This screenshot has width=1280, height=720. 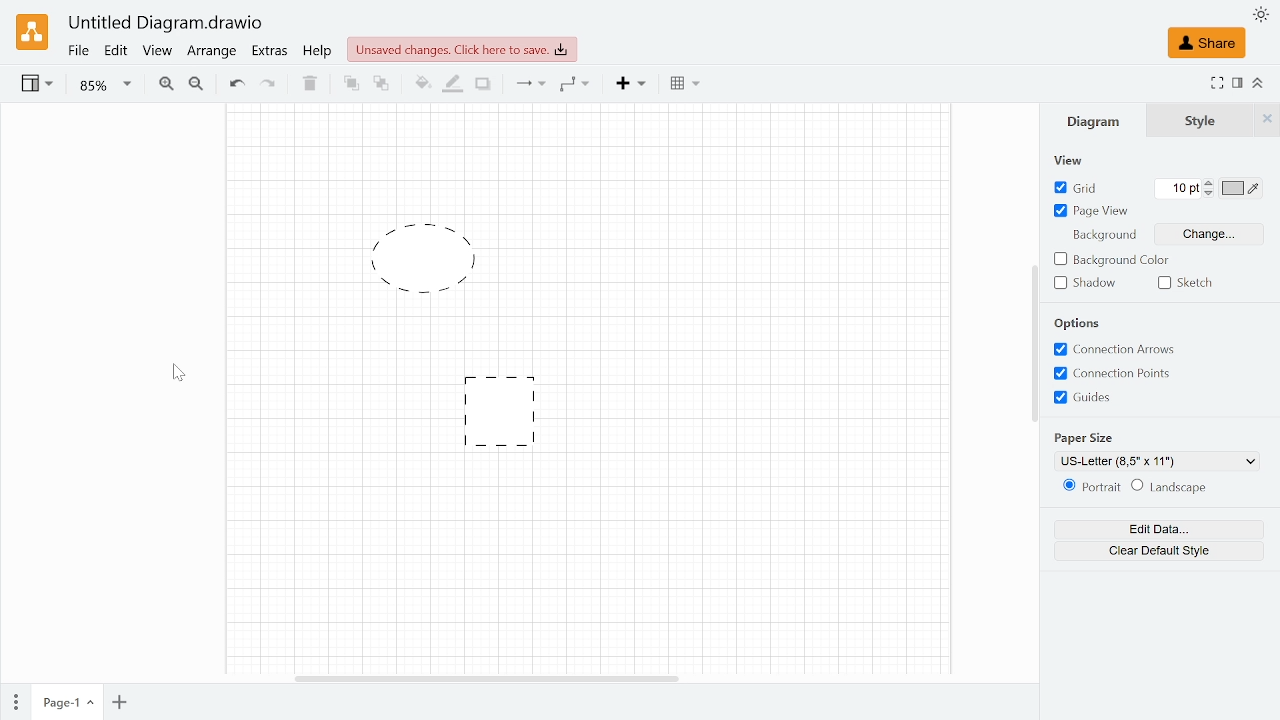 What do you see at coordinates (1259, 82) in the screenshot?
I see `Collapse` at bounding box center [1259, 82].